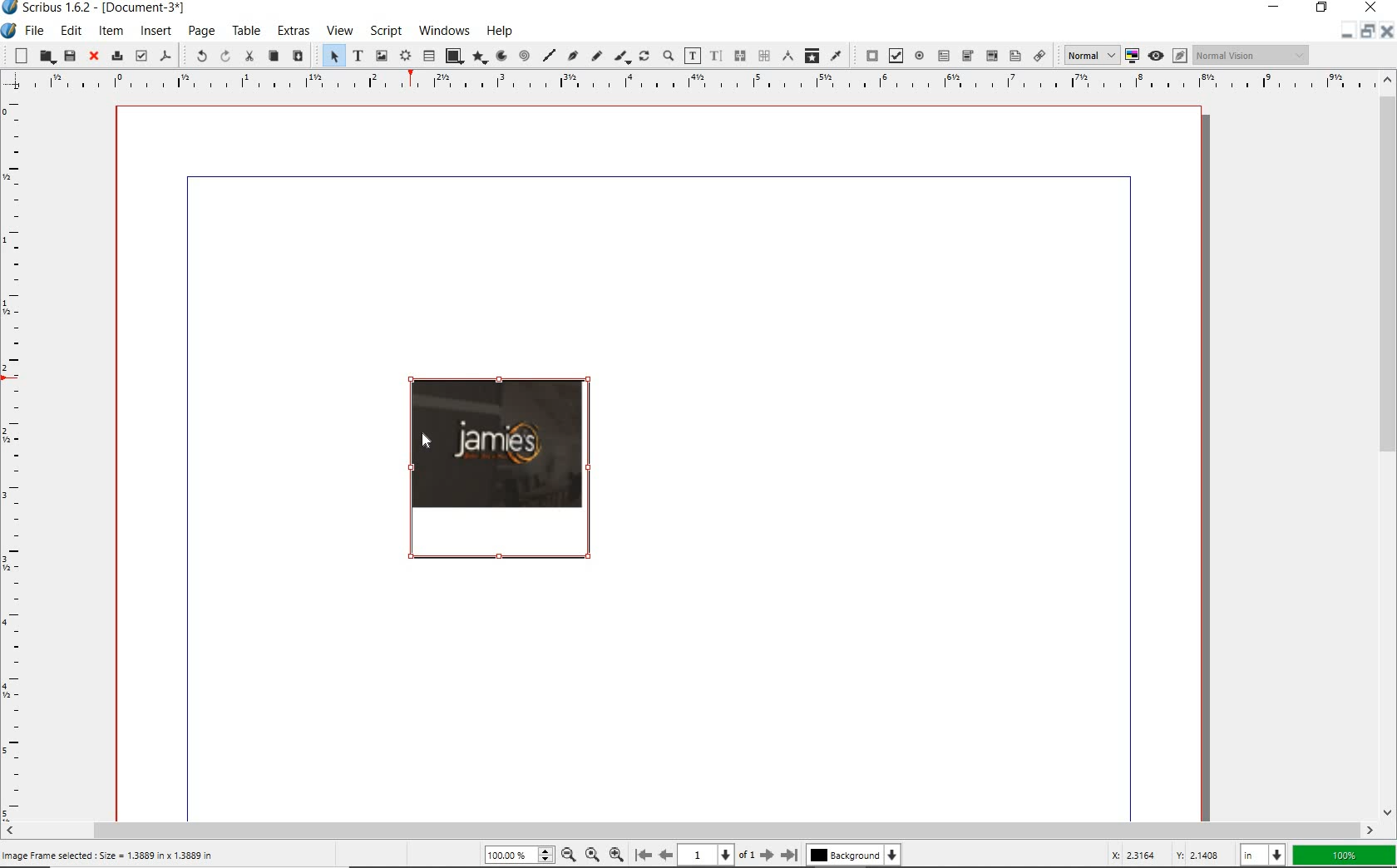 The image size is (1397, 868). I want to click on last, so click(790, 856).